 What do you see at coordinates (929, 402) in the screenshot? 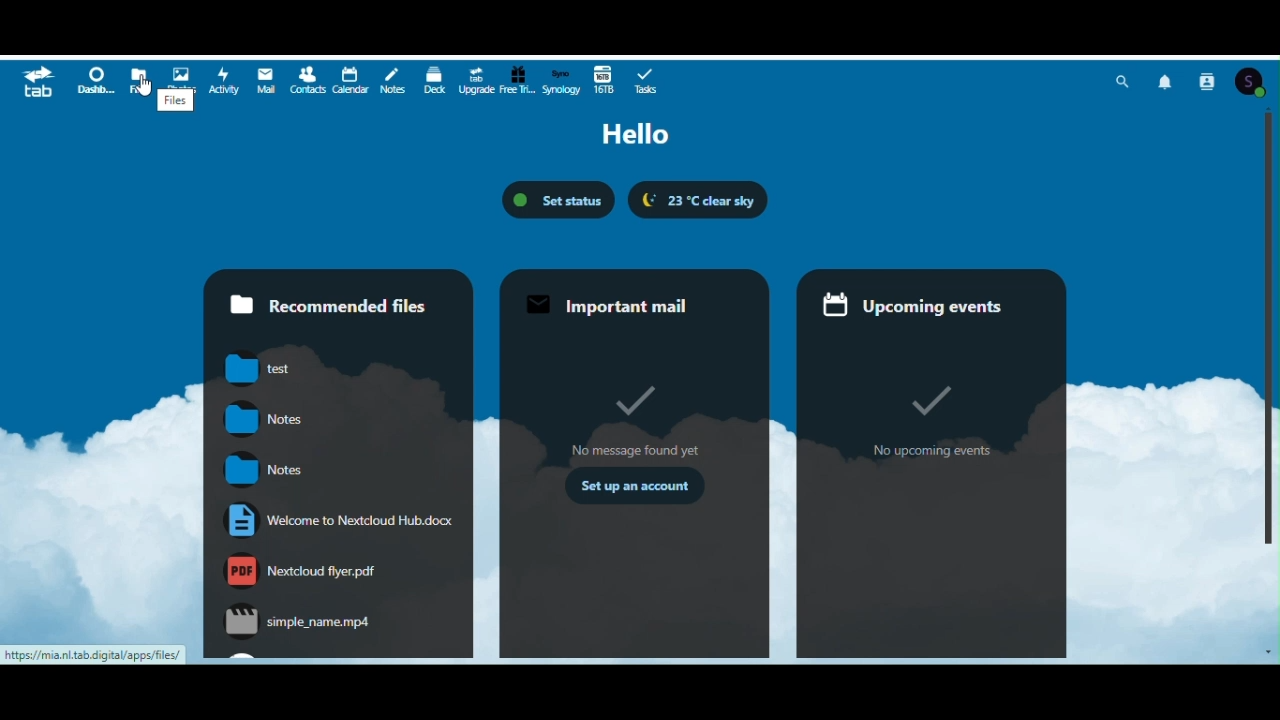
I see `tick mark` at bounding box center [929, 402].